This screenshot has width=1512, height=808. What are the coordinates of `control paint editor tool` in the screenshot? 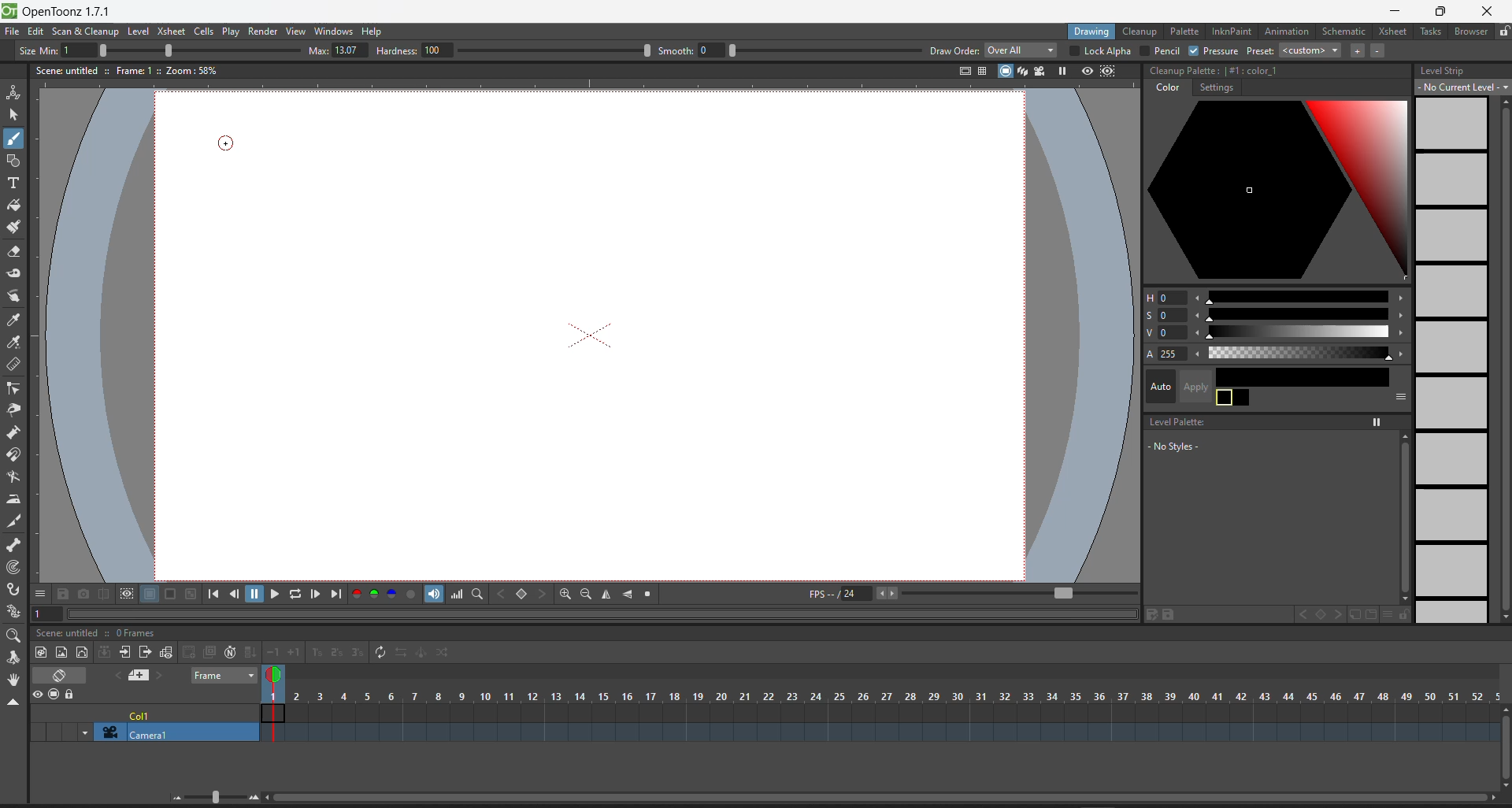 It's located at (17, 388).